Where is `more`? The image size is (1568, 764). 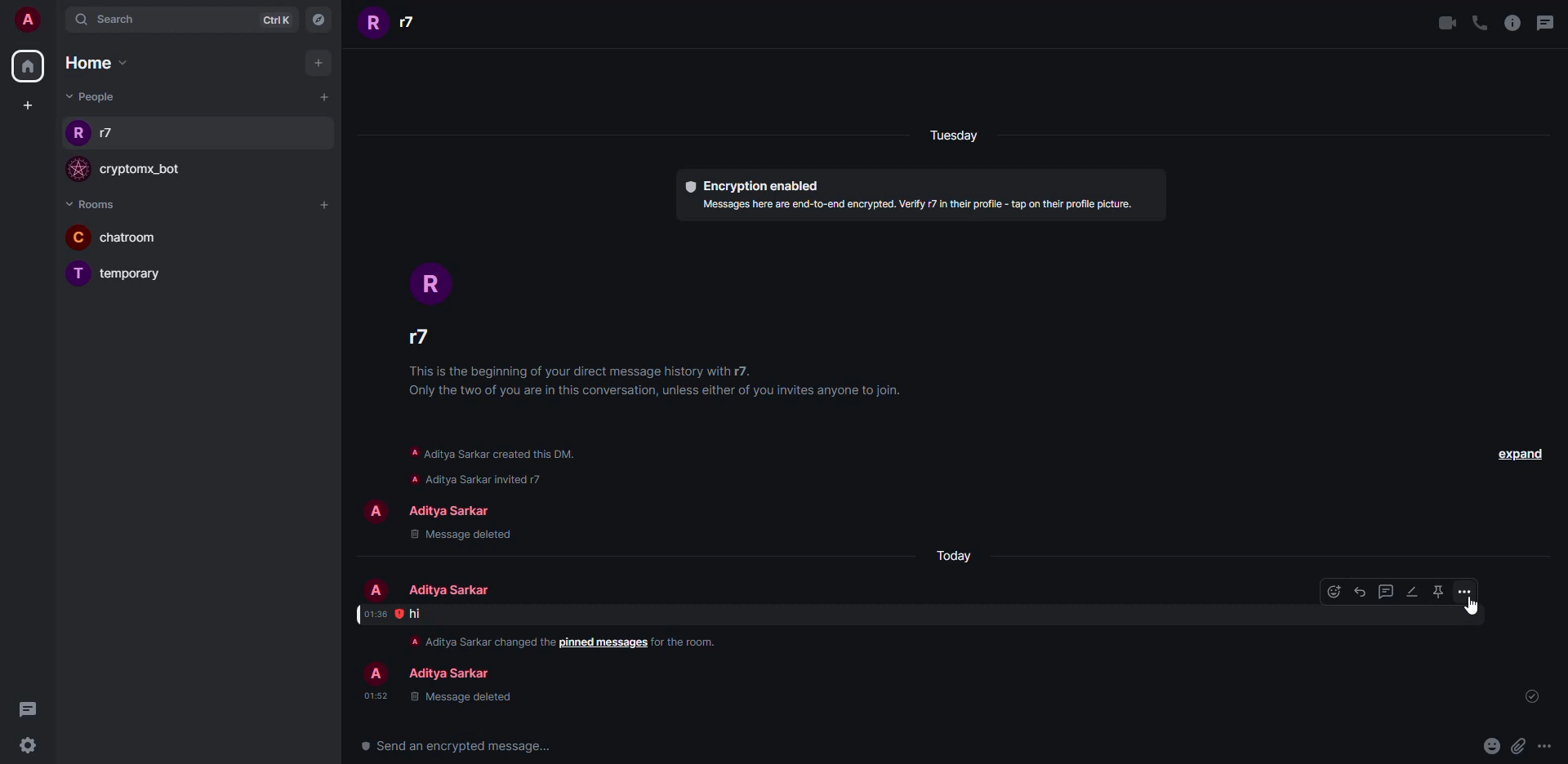
more is located at coordinates (1464, 592).